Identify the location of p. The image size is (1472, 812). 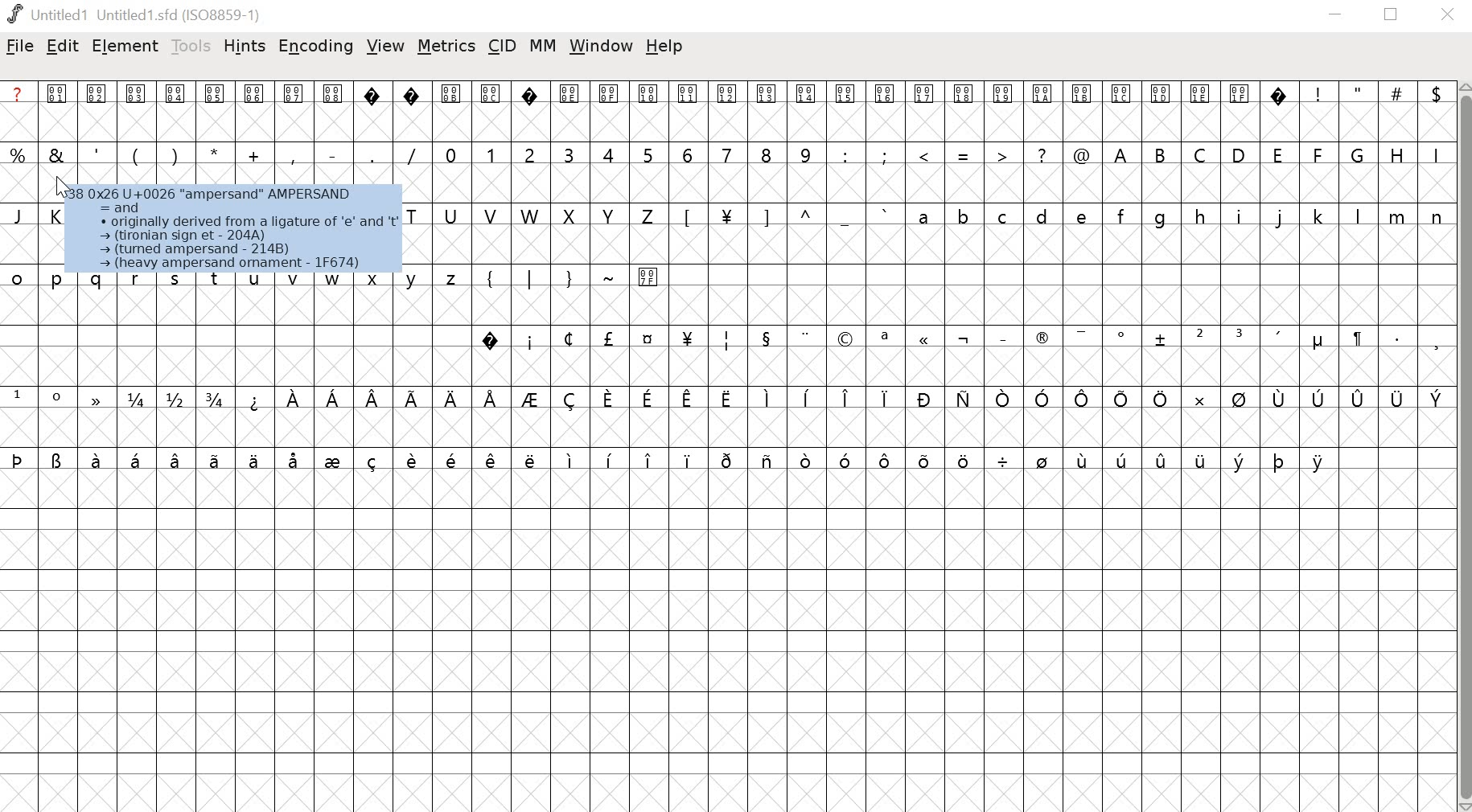
(60, 280).